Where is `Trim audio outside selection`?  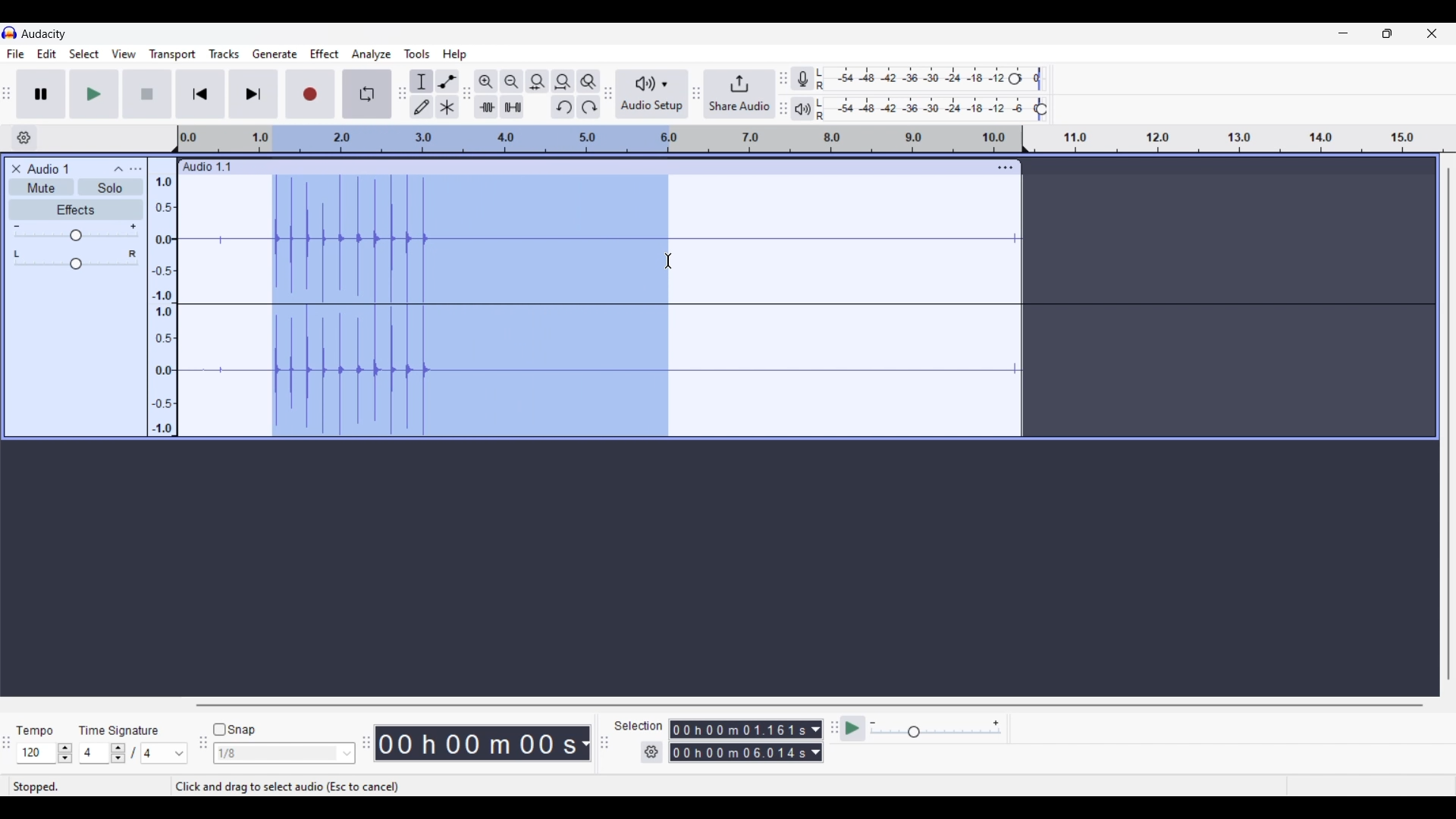 Trim audio outside selection is located at coordinates (486, 107).